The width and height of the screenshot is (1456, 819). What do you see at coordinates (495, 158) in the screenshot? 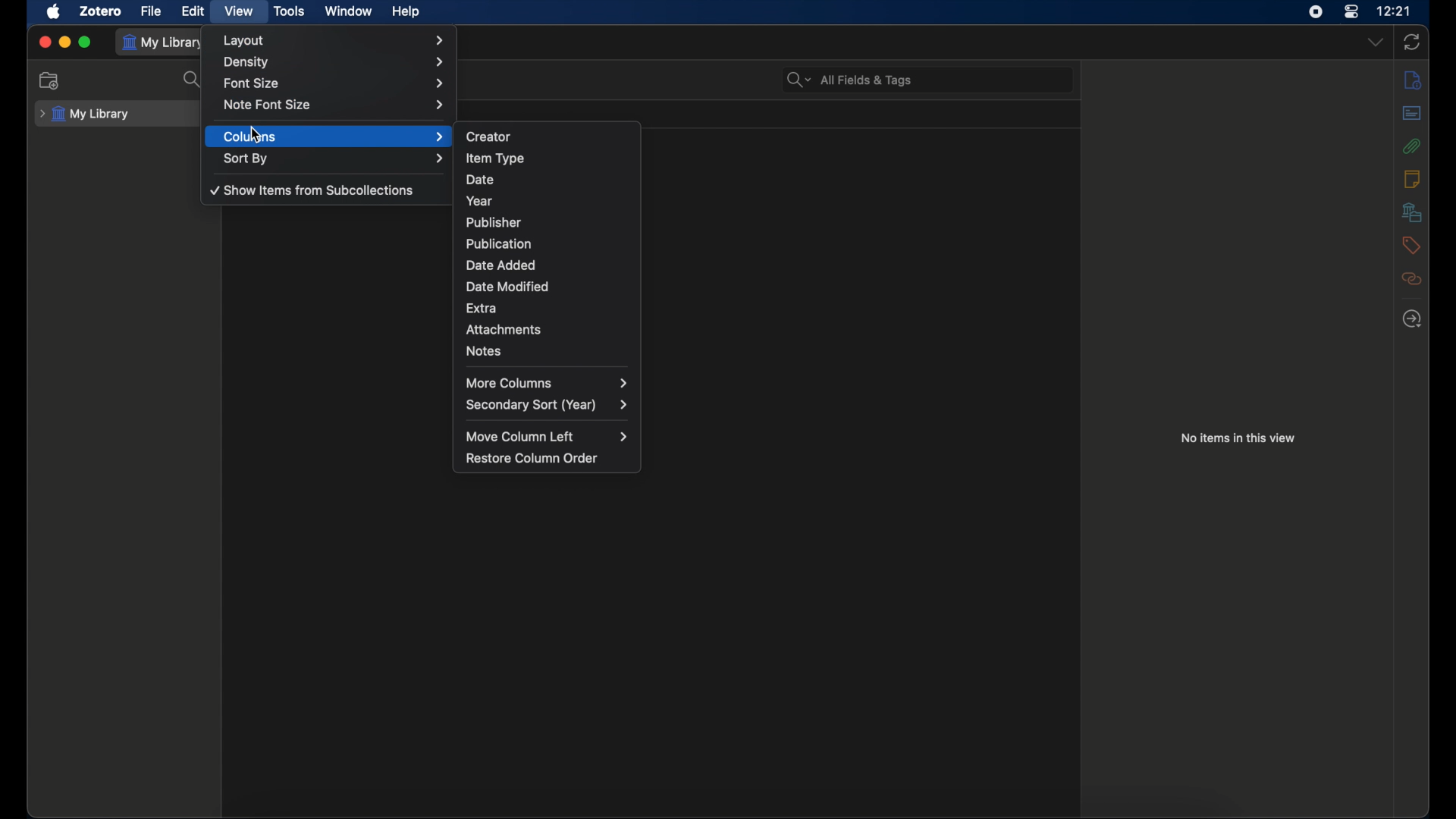
I see `item type` at bounding box center [495, 158].